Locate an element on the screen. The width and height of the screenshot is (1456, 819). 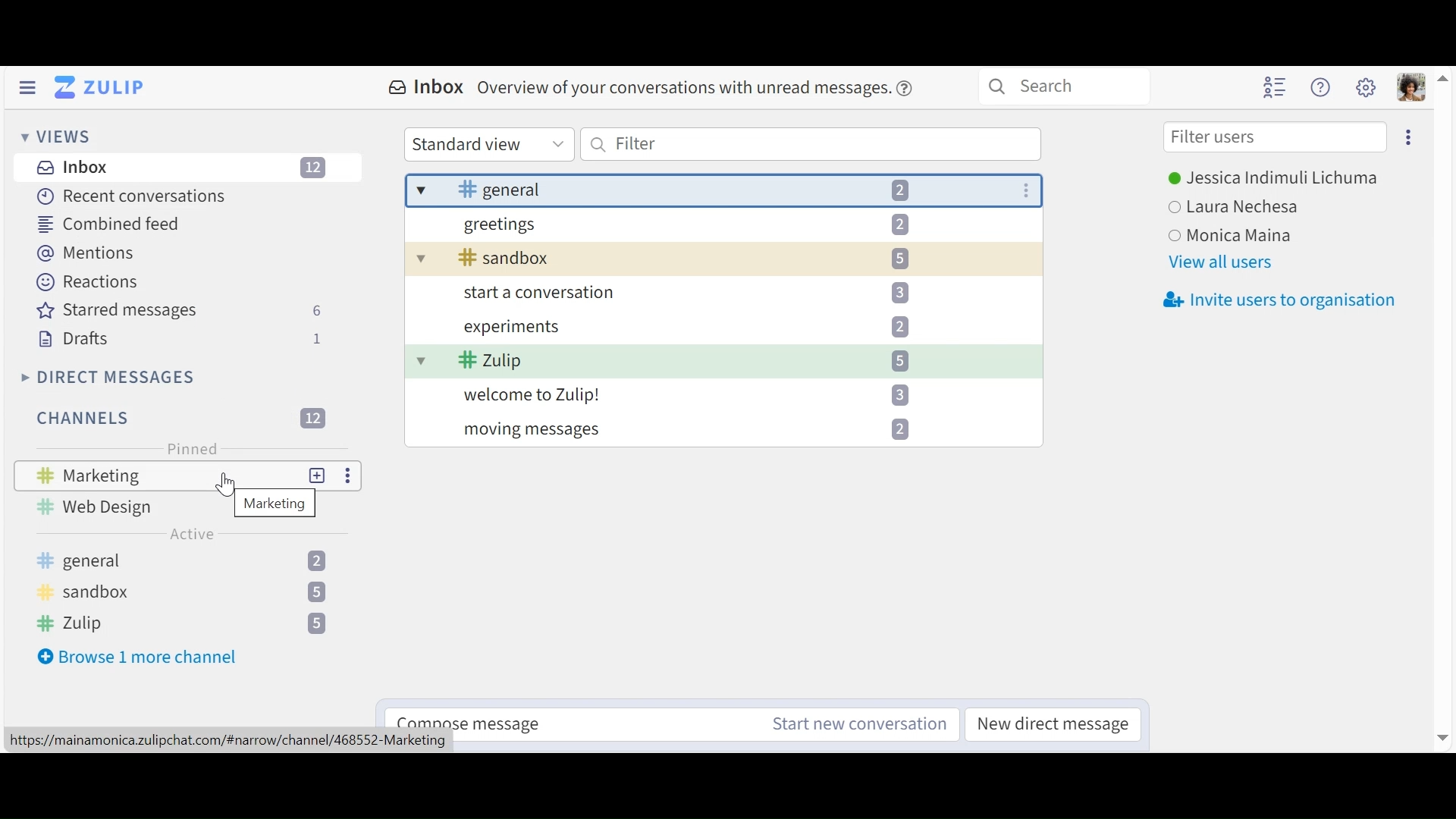
Channels is located at coordinates (192, 592).